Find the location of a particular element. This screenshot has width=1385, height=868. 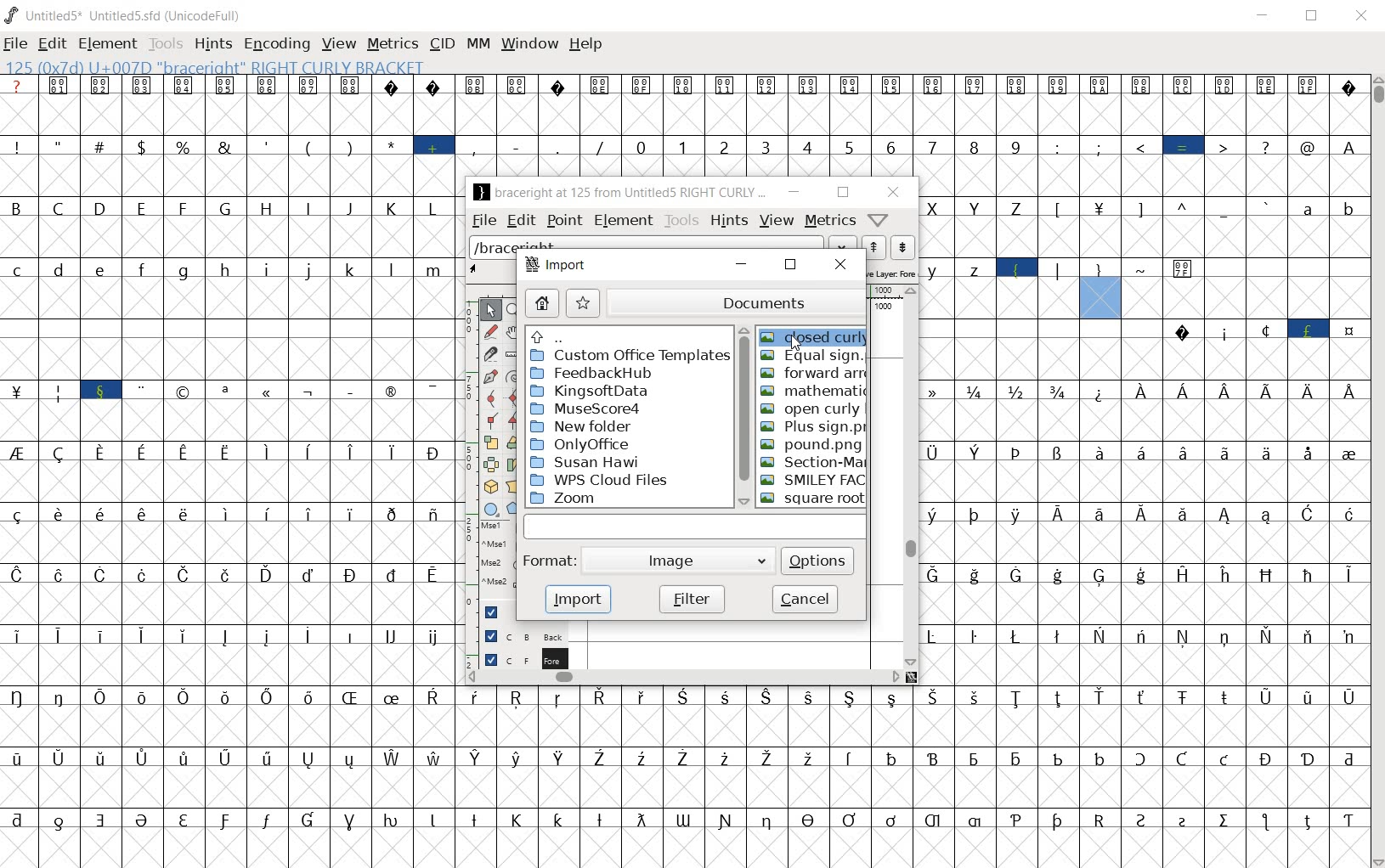

minimize is located at coordinates (793, 192).